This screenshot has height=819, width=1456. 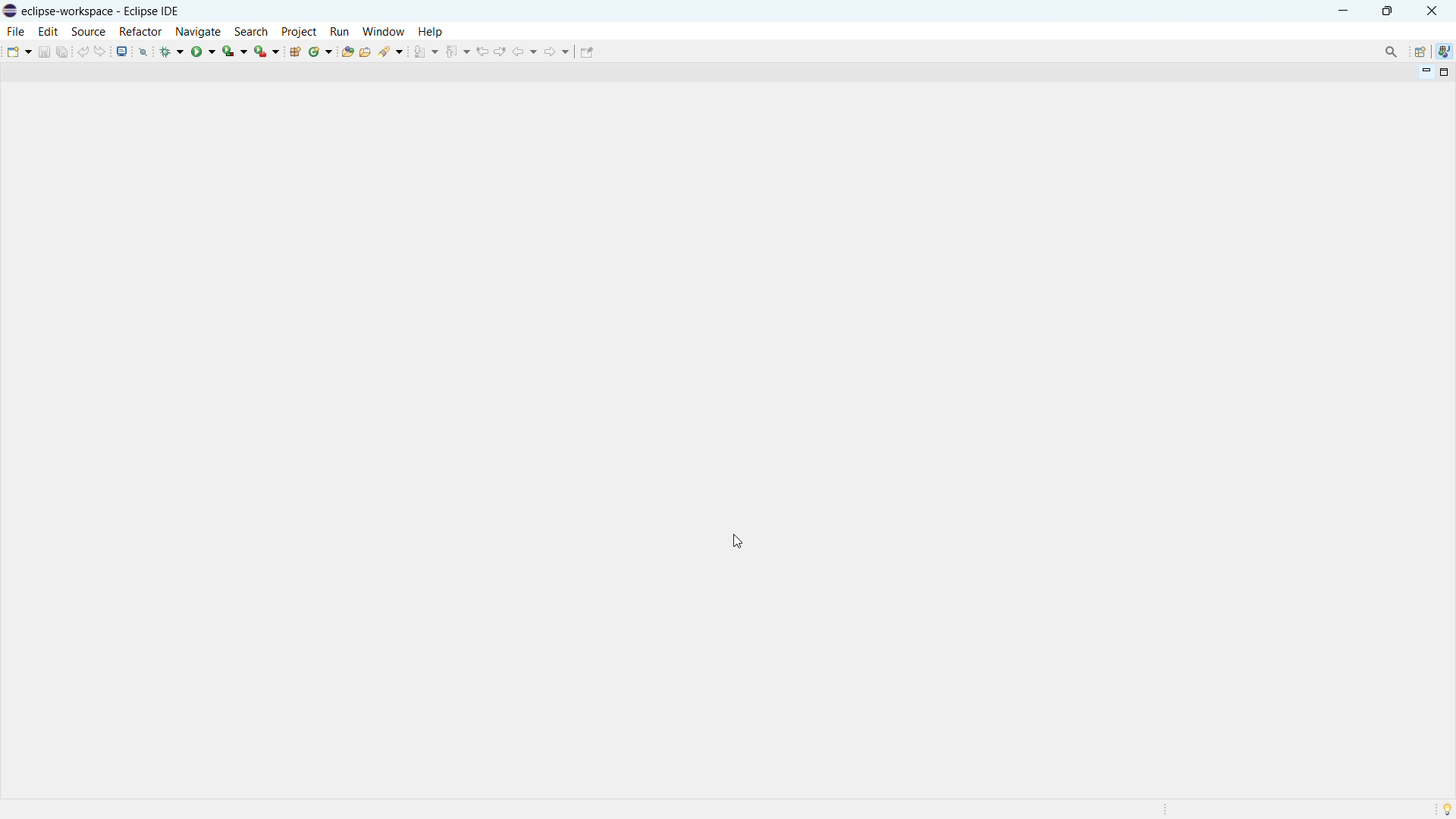 I want to click on cursor, so click(x=736, y=541).